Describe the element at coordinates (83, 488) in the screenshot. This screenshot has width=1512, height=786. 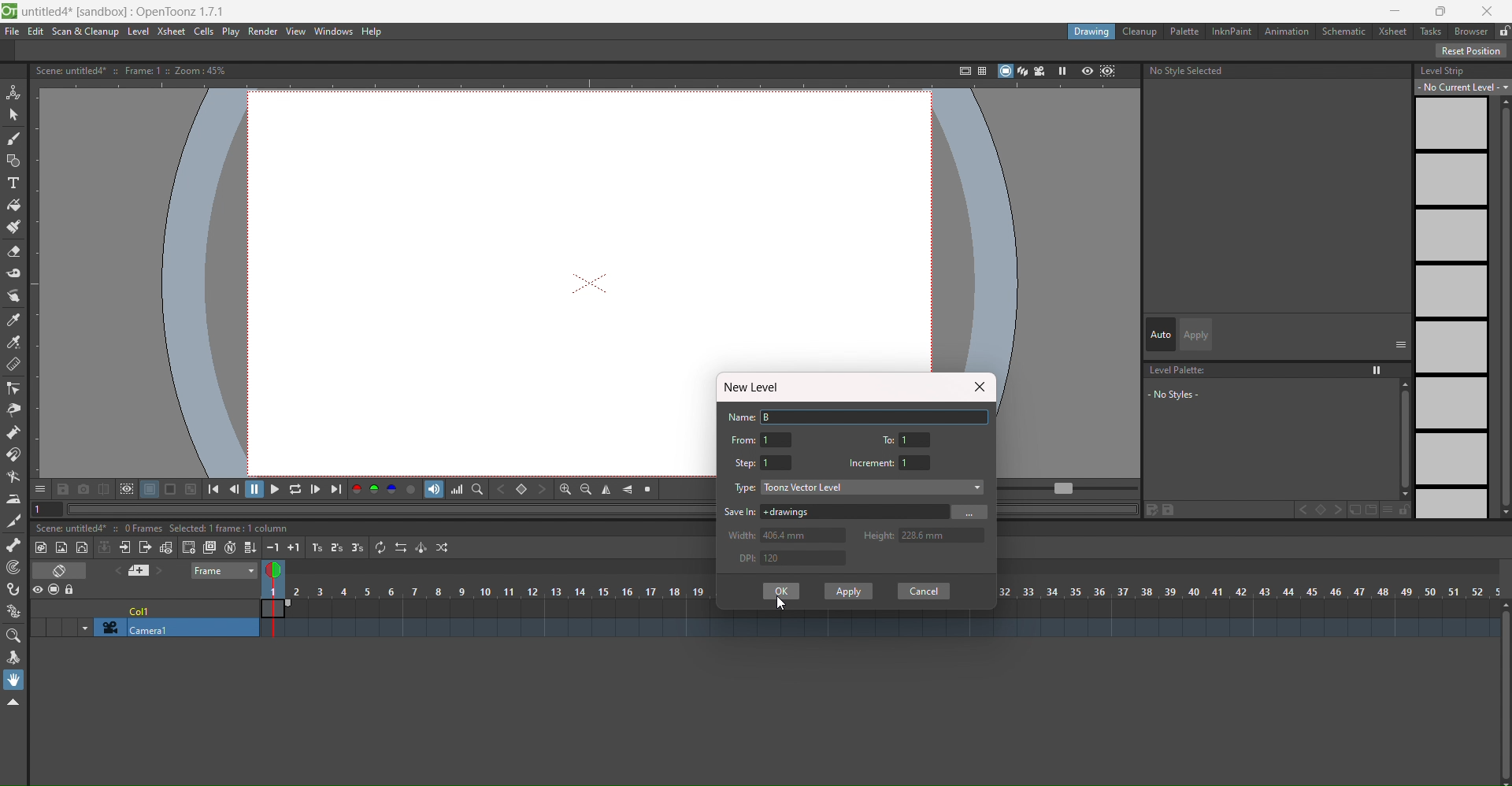
I see `tool` at that location.